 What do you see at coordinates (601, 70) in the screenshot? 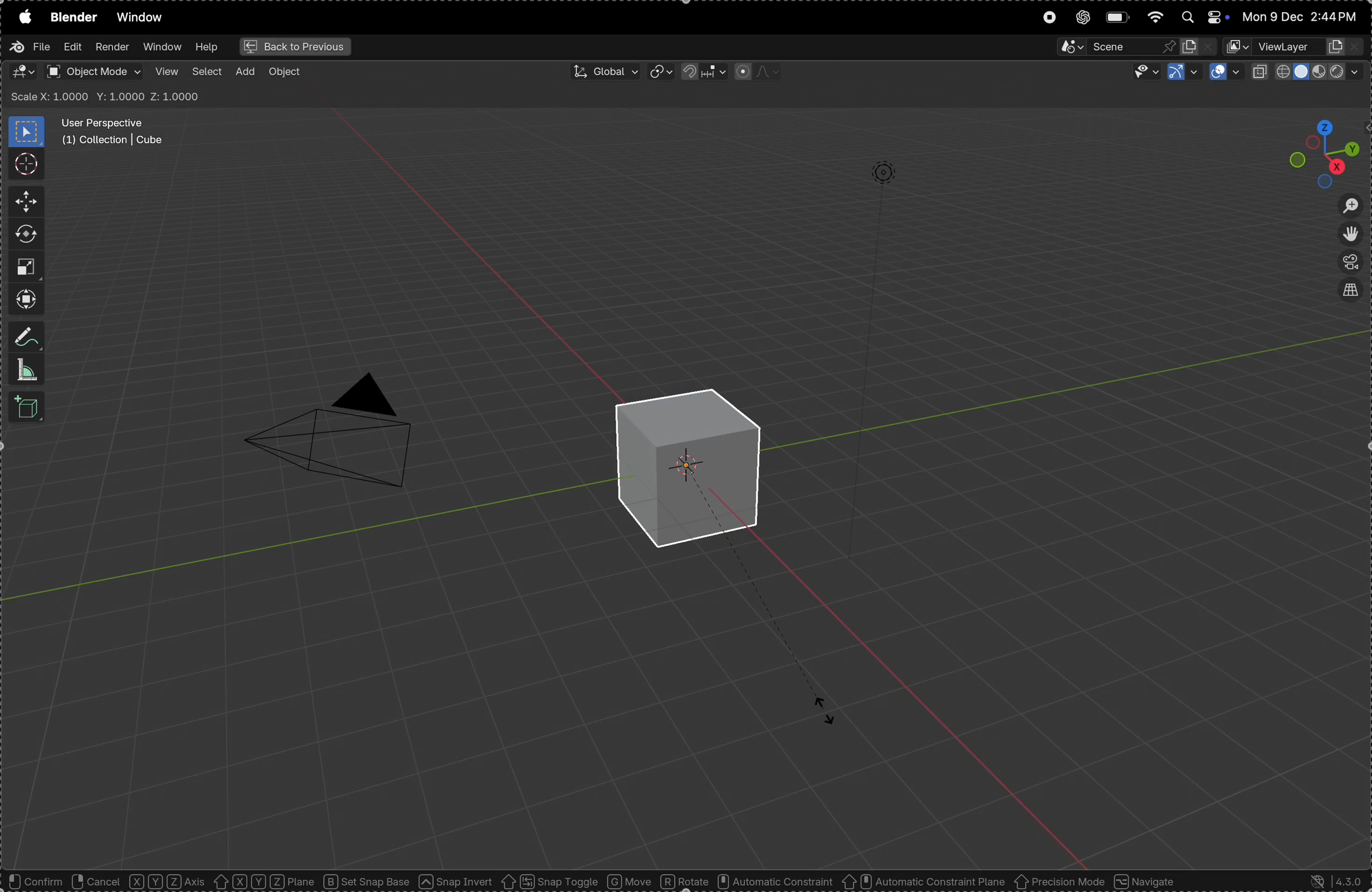
I see `Global` at bounding box center [601, 70].